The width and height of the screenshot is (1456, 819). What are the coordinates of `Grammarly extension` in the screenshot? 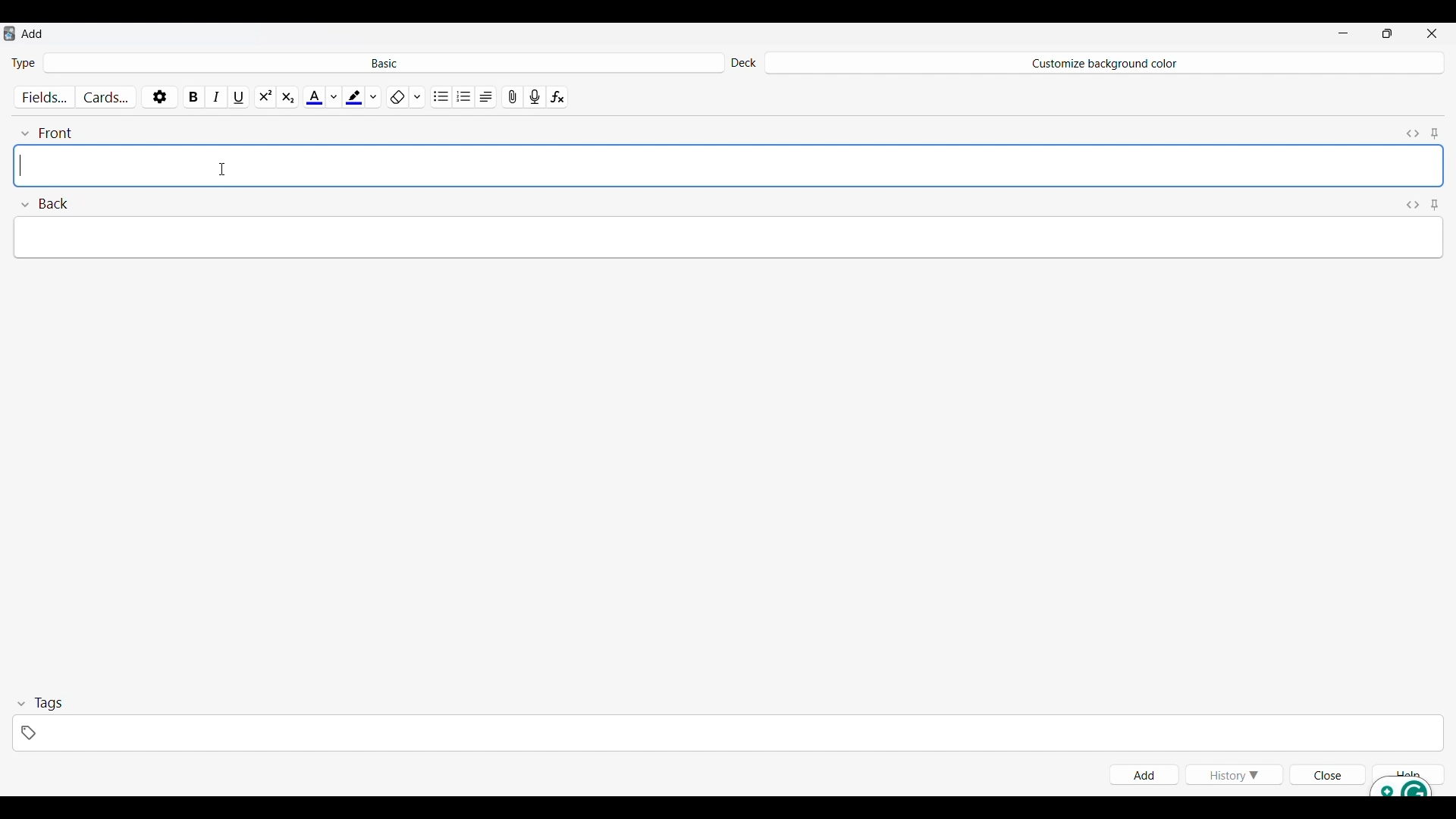 It's located at (1401, 786).